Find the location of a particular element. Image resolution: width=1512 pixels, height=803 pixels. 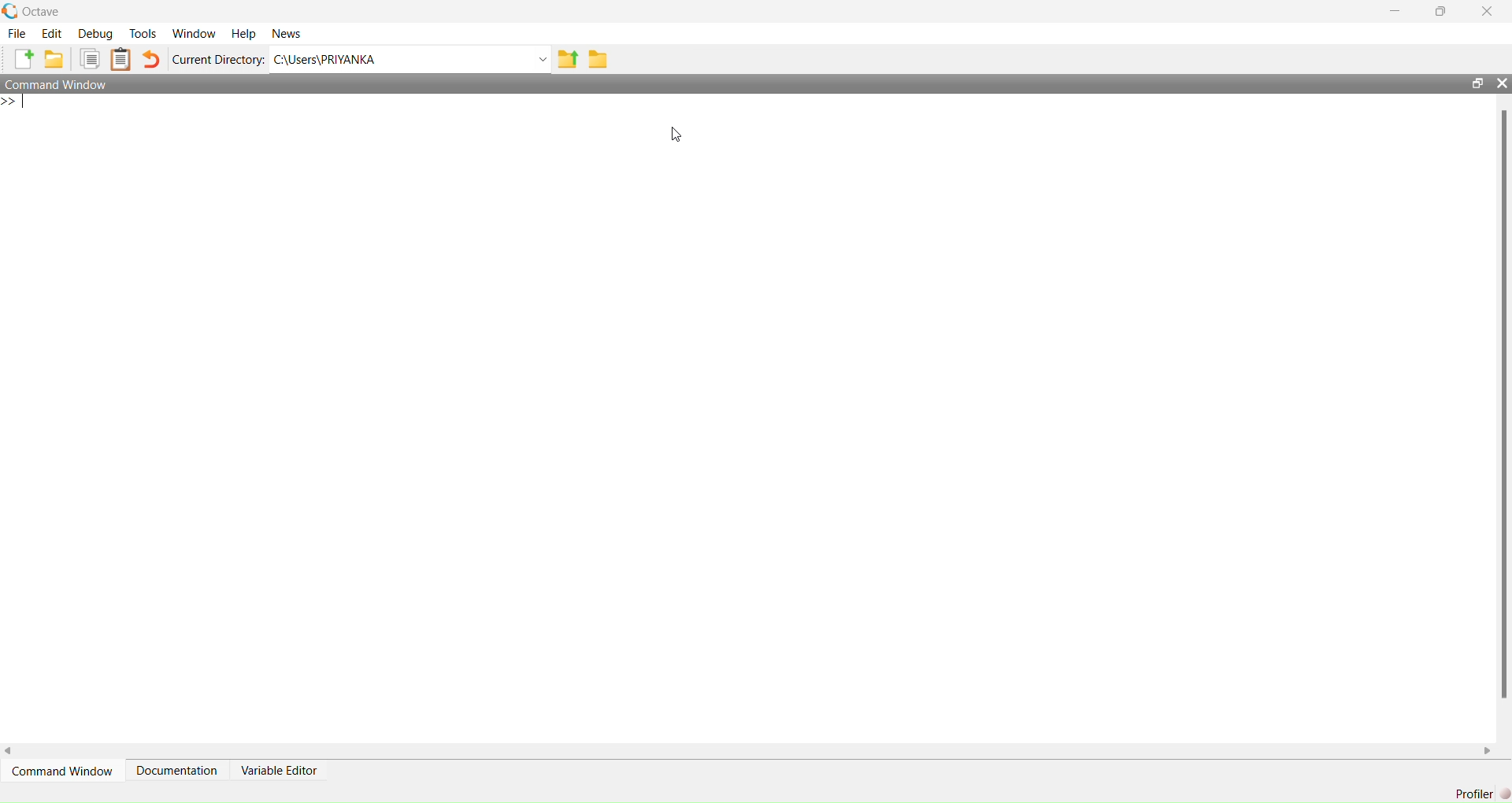

add folder is located at coordinates (55, 59).